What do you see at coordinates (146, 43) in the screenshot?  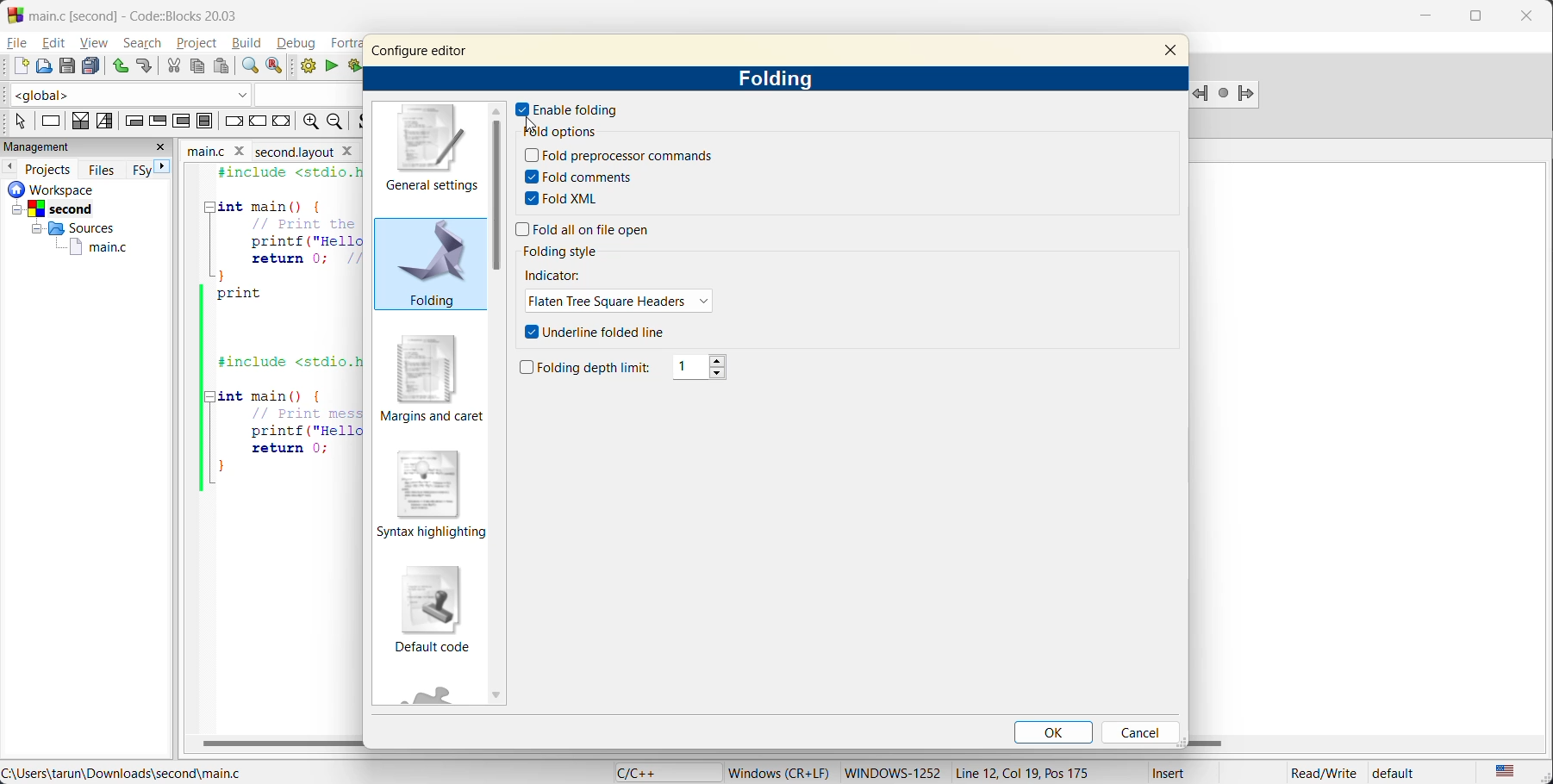 I see `search` at bounding box center [146, 43].